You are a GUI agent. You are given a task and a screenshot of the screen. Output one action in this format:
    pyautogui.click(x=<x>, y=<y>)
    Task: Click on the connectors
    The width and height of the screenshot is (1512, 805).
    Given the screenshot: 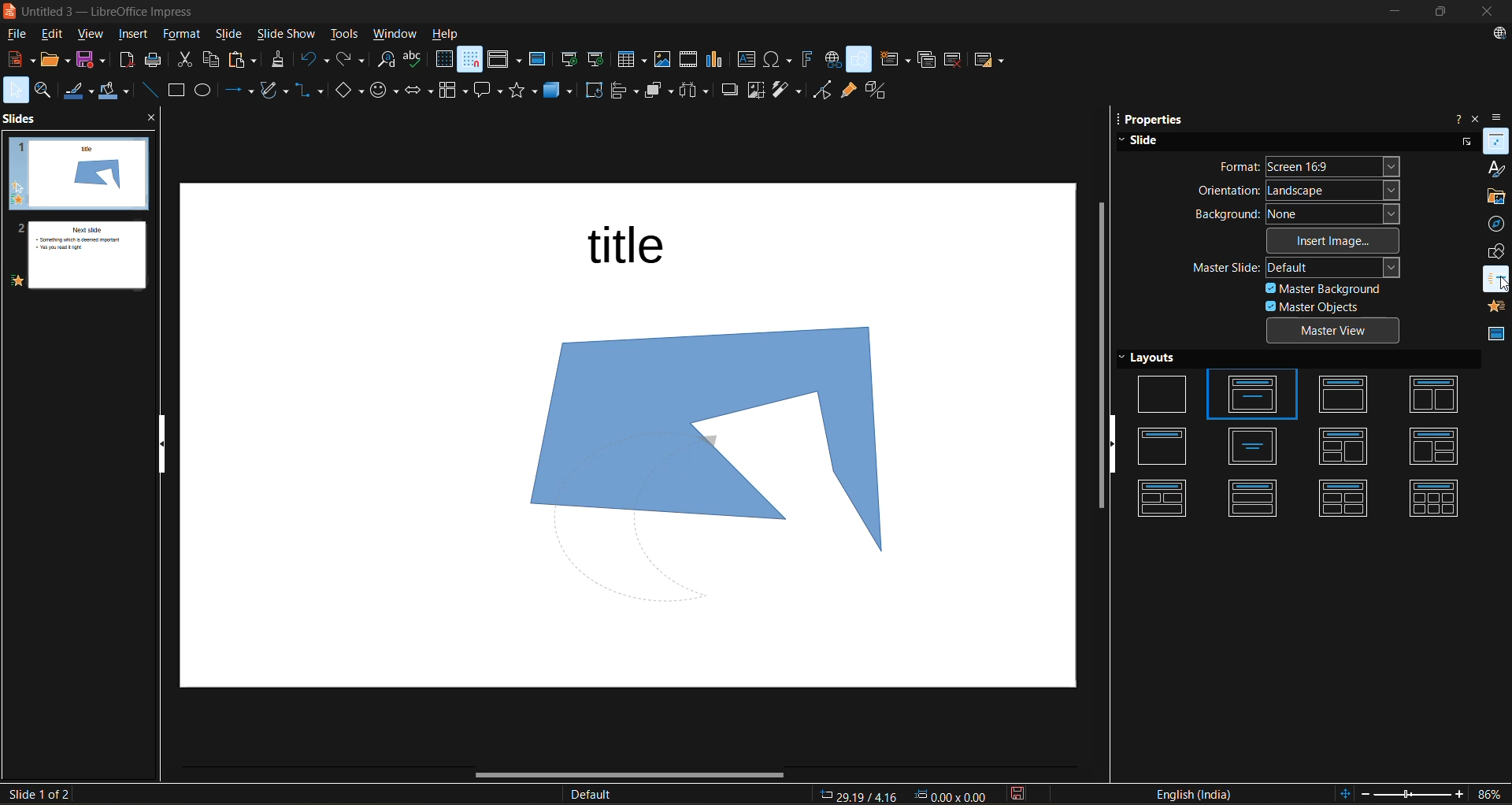 What is the action you would take?
    pyautogui.click(x=310, y=90)
    